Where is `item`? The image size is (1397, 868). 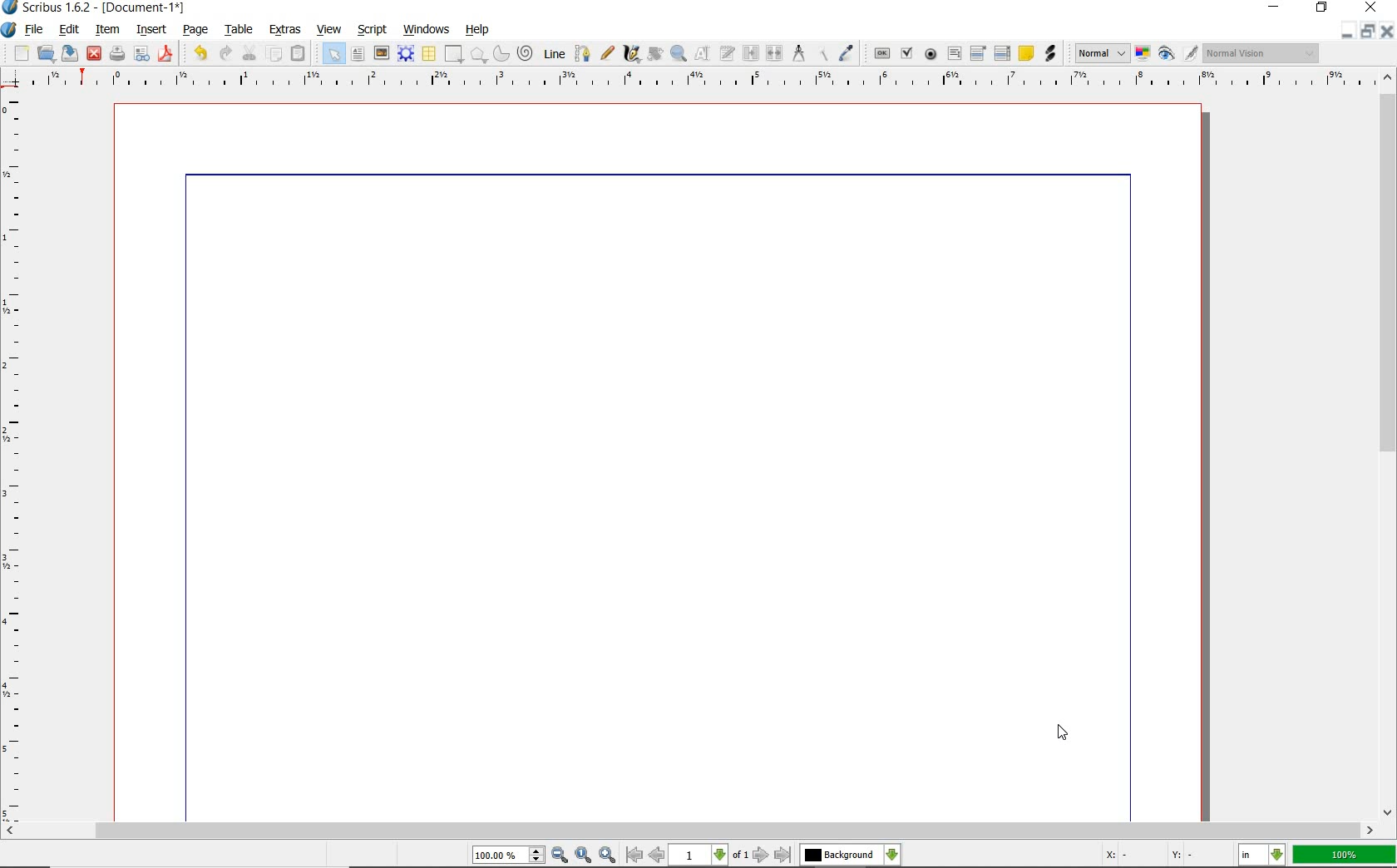
item is located at coordinates (108, 31).